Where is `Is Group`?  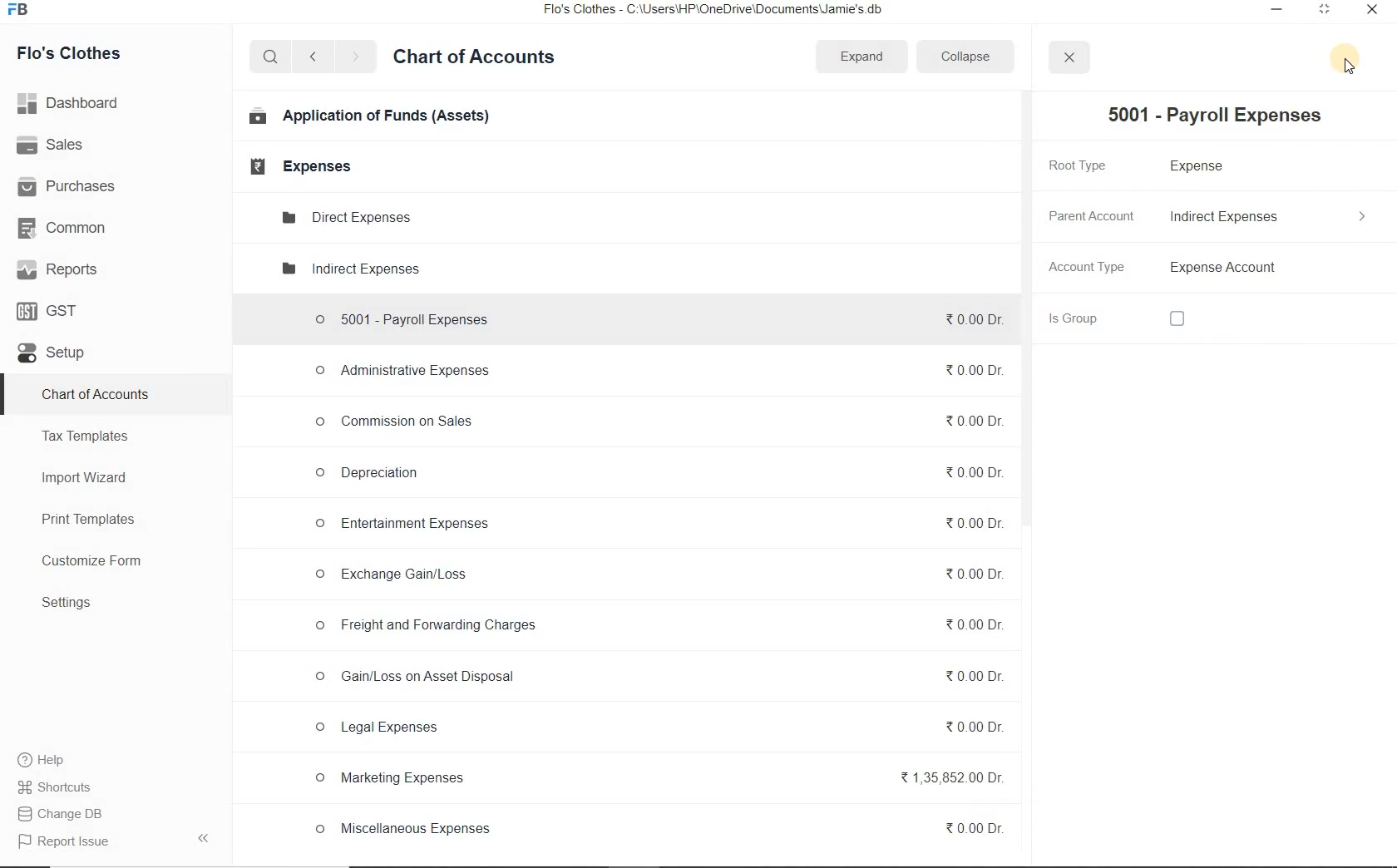
Is Group is located at coordinates (1091, 318).